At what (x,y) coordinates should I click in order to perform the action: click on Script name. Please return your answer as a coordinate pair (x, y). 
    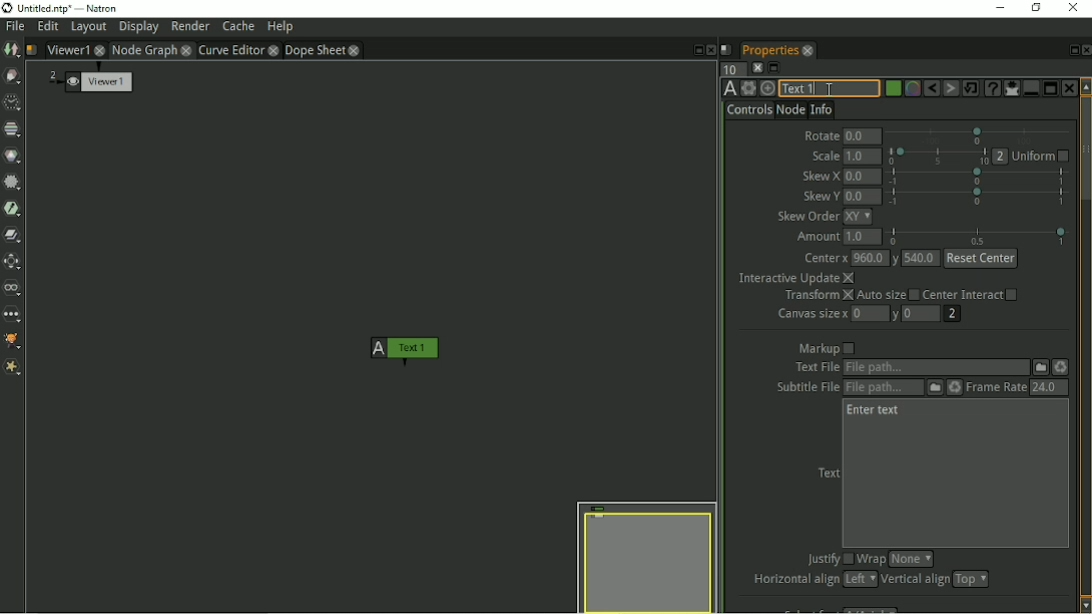
    Looking at the image, I should click on (33, 51).